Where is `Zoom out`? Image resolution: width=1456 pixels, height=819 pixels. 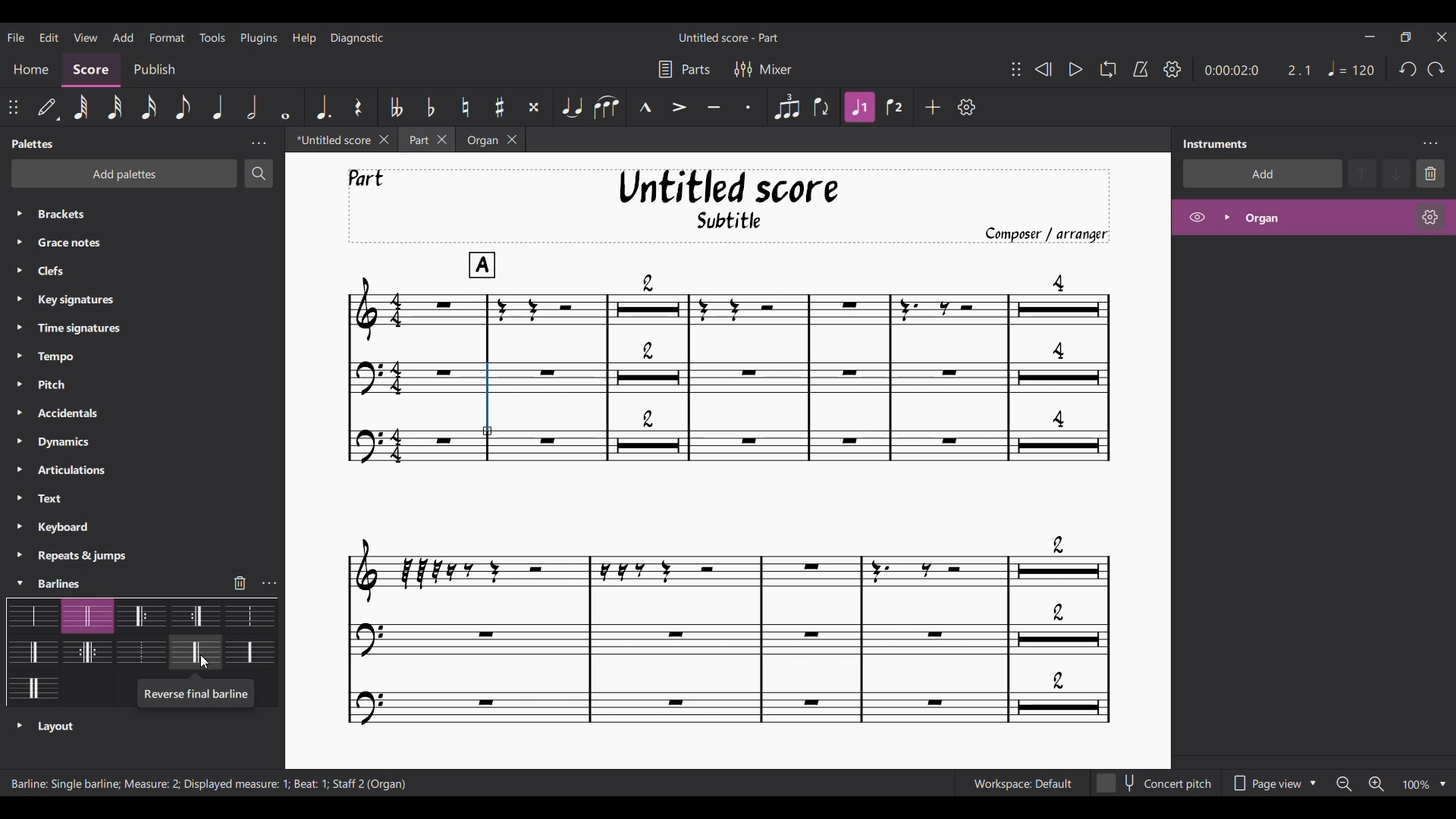 Zoom out is located at coordinates (1343, 784).